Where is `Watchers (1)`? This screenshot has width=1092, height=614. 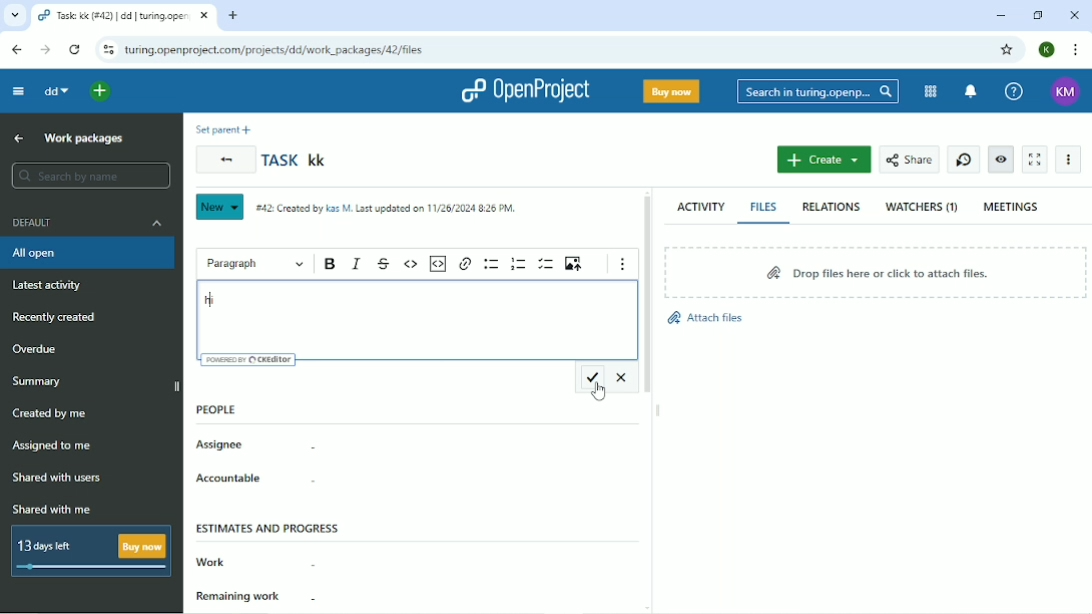
Watchers (1) is located at coordinates (920, 207).